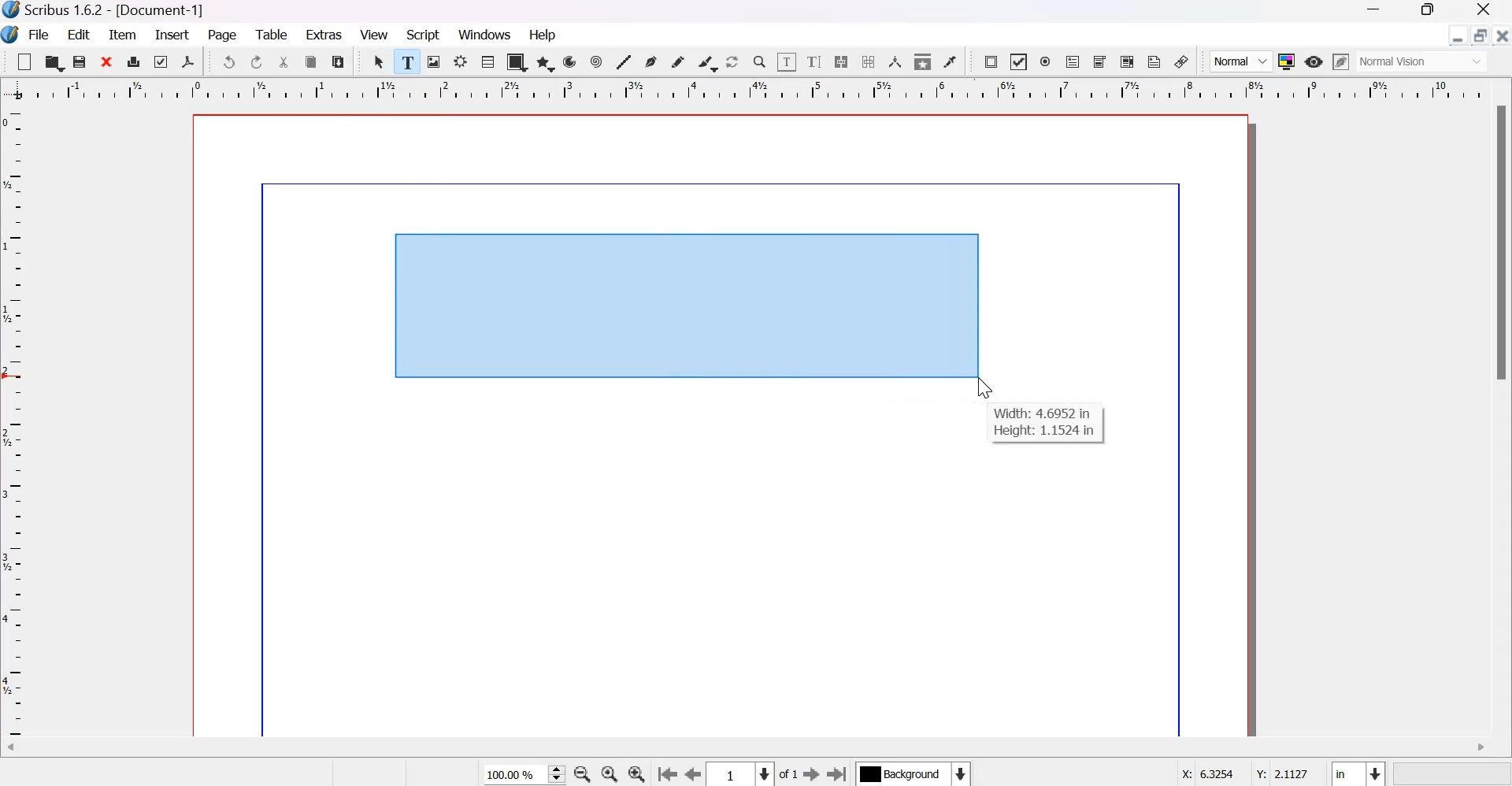 The width and height of the screenshot is (1512, 786). I want to click on cursor, so click(984, 389).